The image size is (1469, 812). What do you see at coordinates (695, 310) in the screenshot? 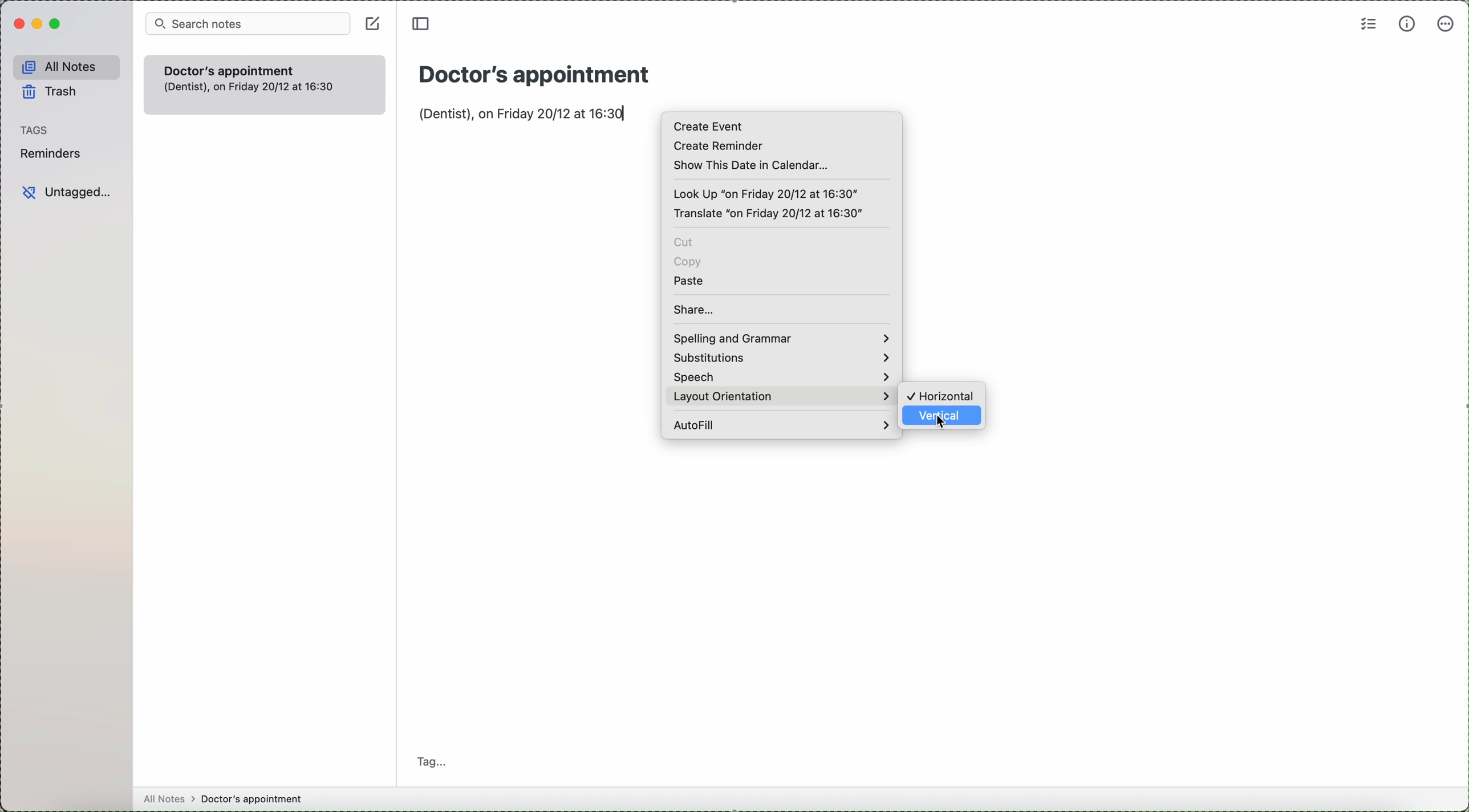
I see `share` at bounding box center [695, 310].